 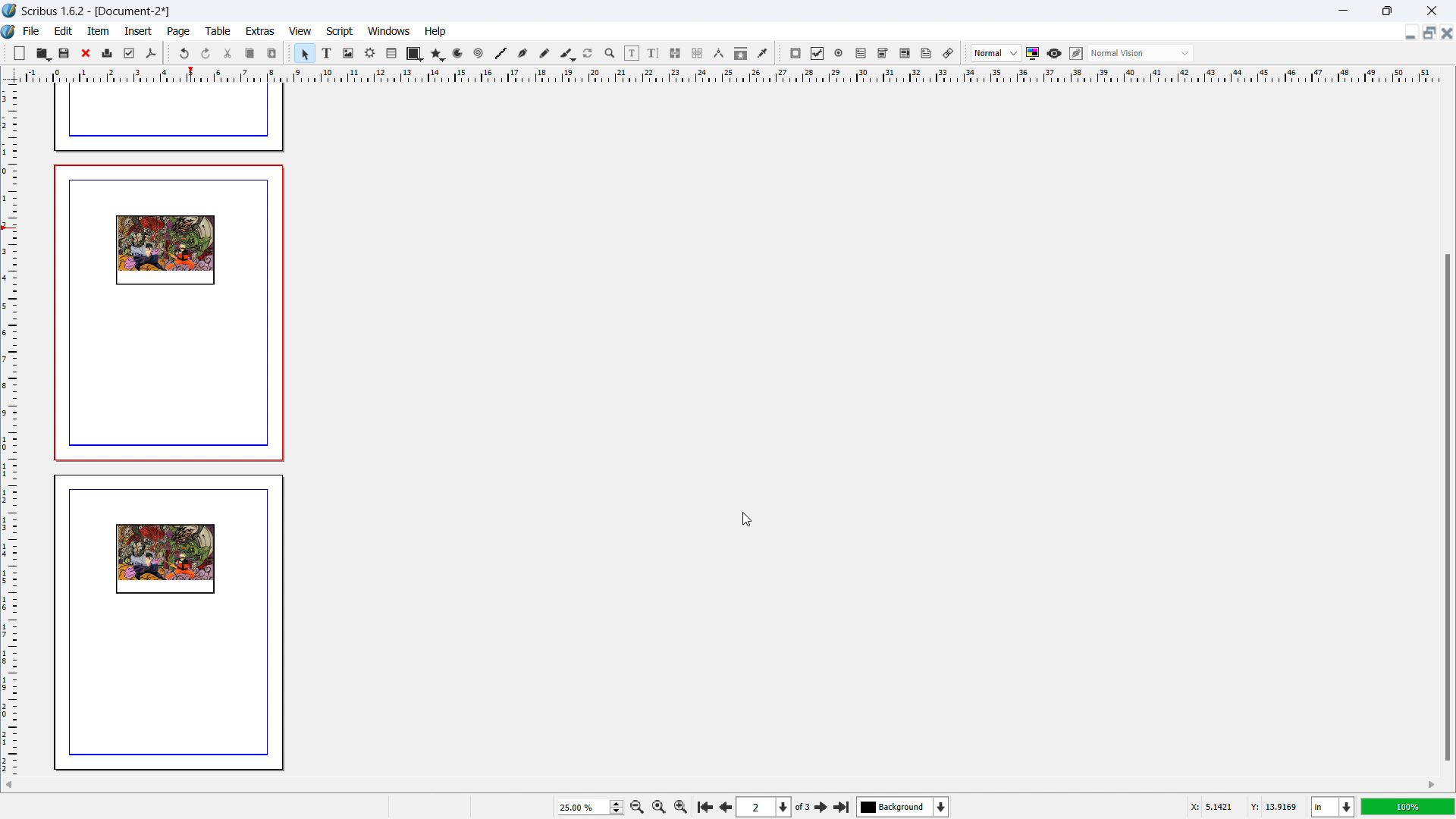 What do you see at coordinates (996, 53) in the screenshot?
I see `select image preview quality` at bounding box center [996, 53].